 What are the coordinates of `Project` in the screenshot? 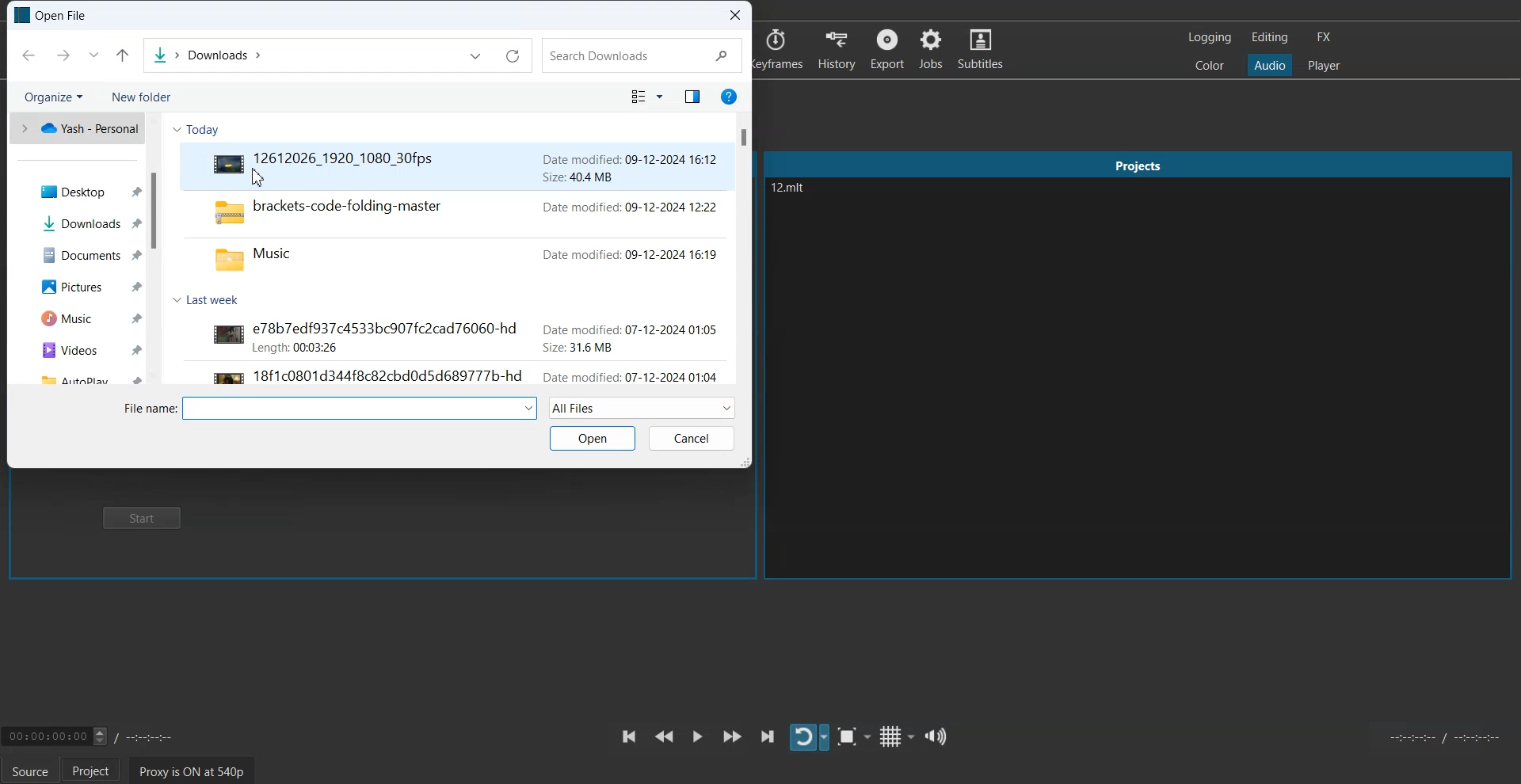 It's located at (94, 770).